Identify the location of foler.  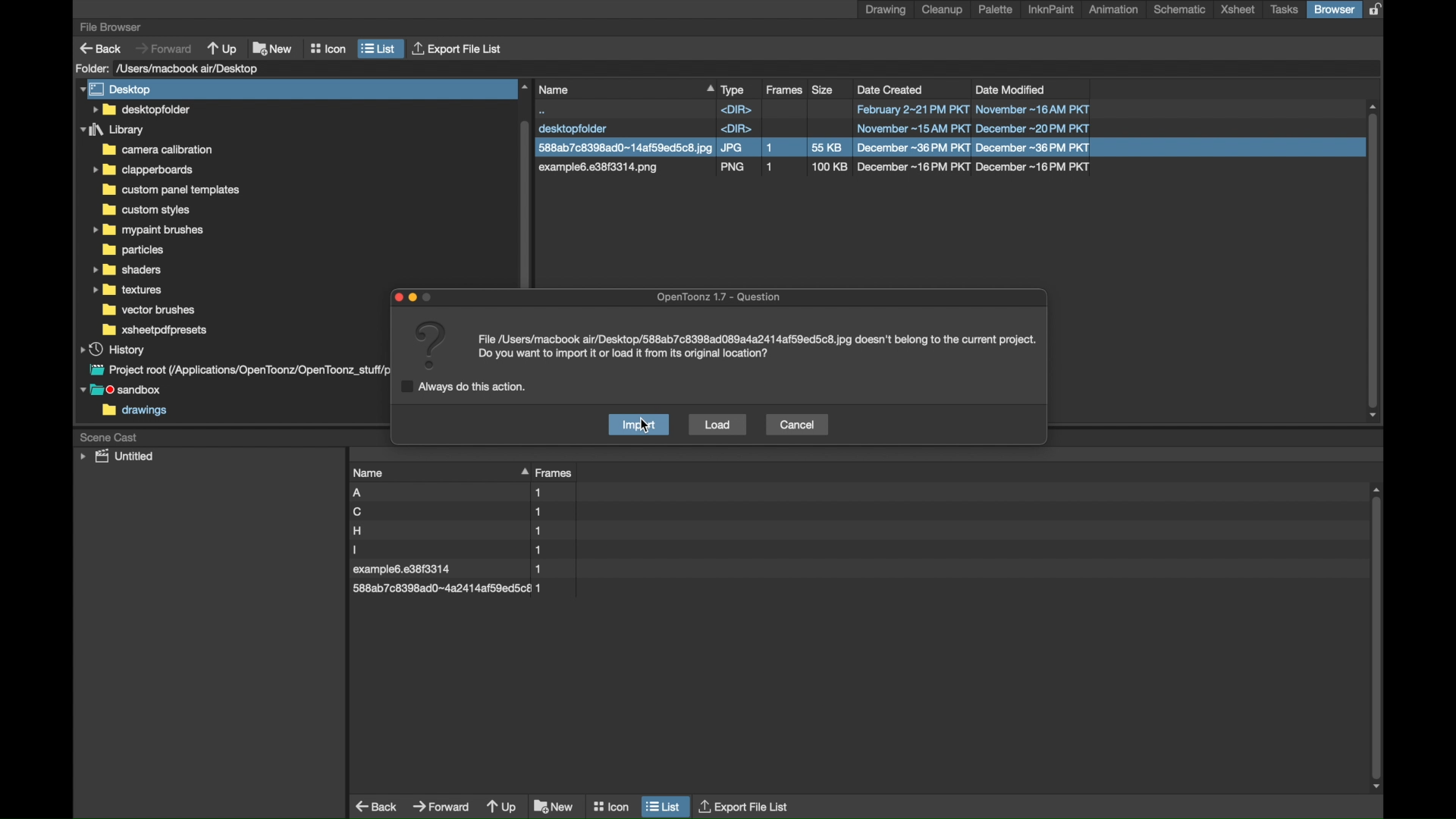
(155, 330).